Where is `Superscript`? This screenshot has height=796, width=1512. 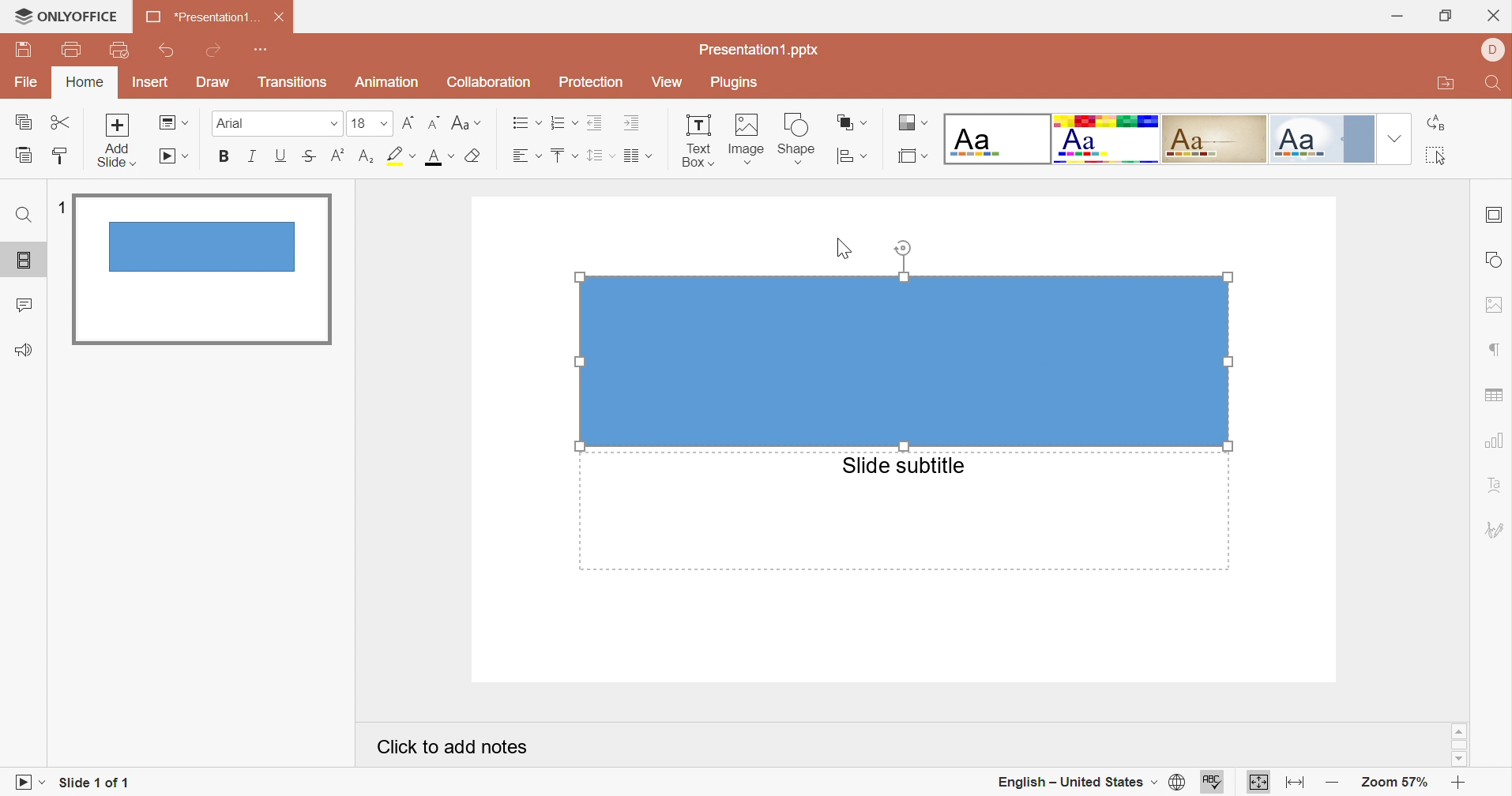 Superscript is located at coordinates (336, 160).